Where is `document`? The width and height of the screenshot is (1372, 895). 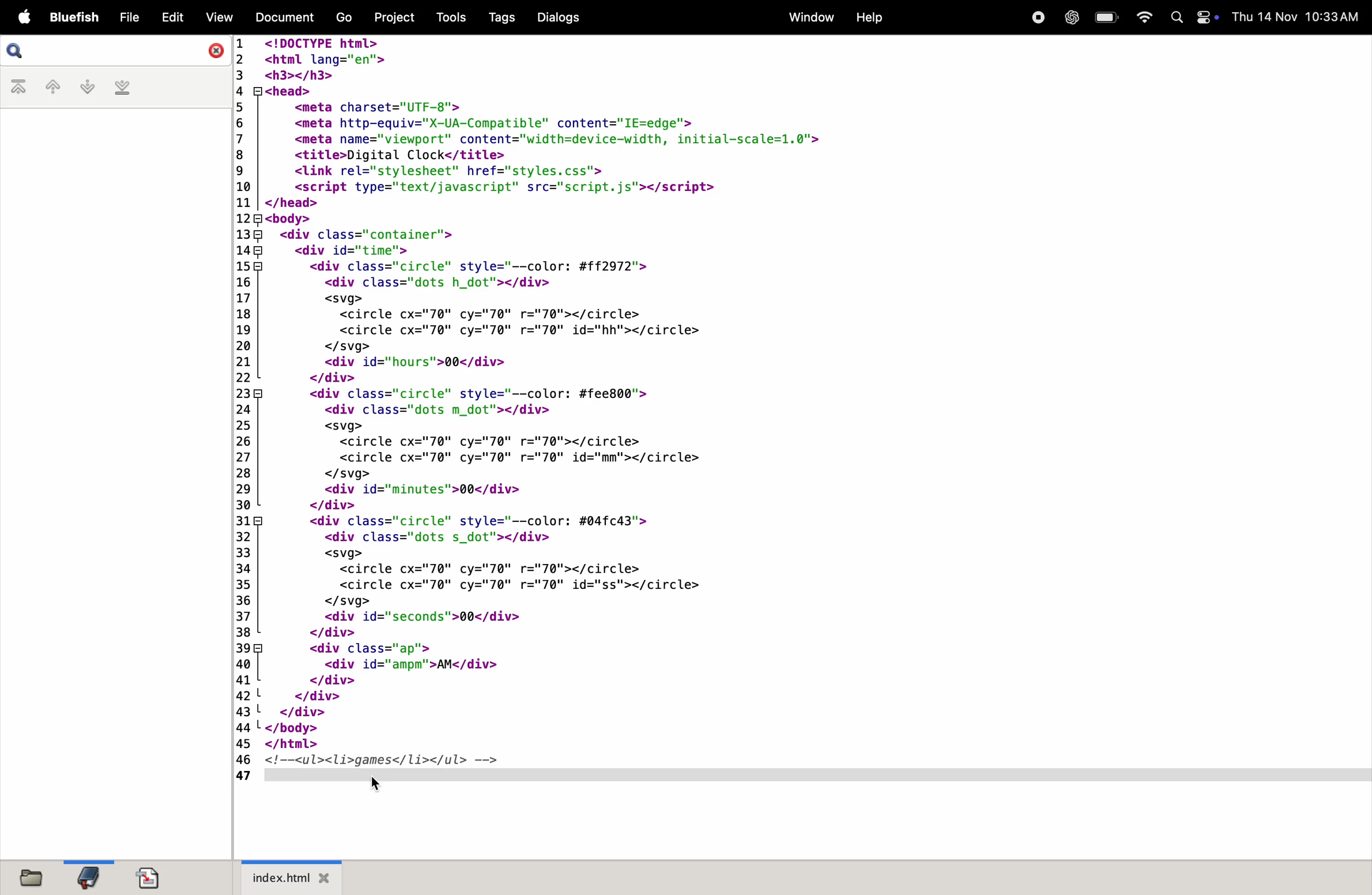
document is located at coordinates (149, 874).